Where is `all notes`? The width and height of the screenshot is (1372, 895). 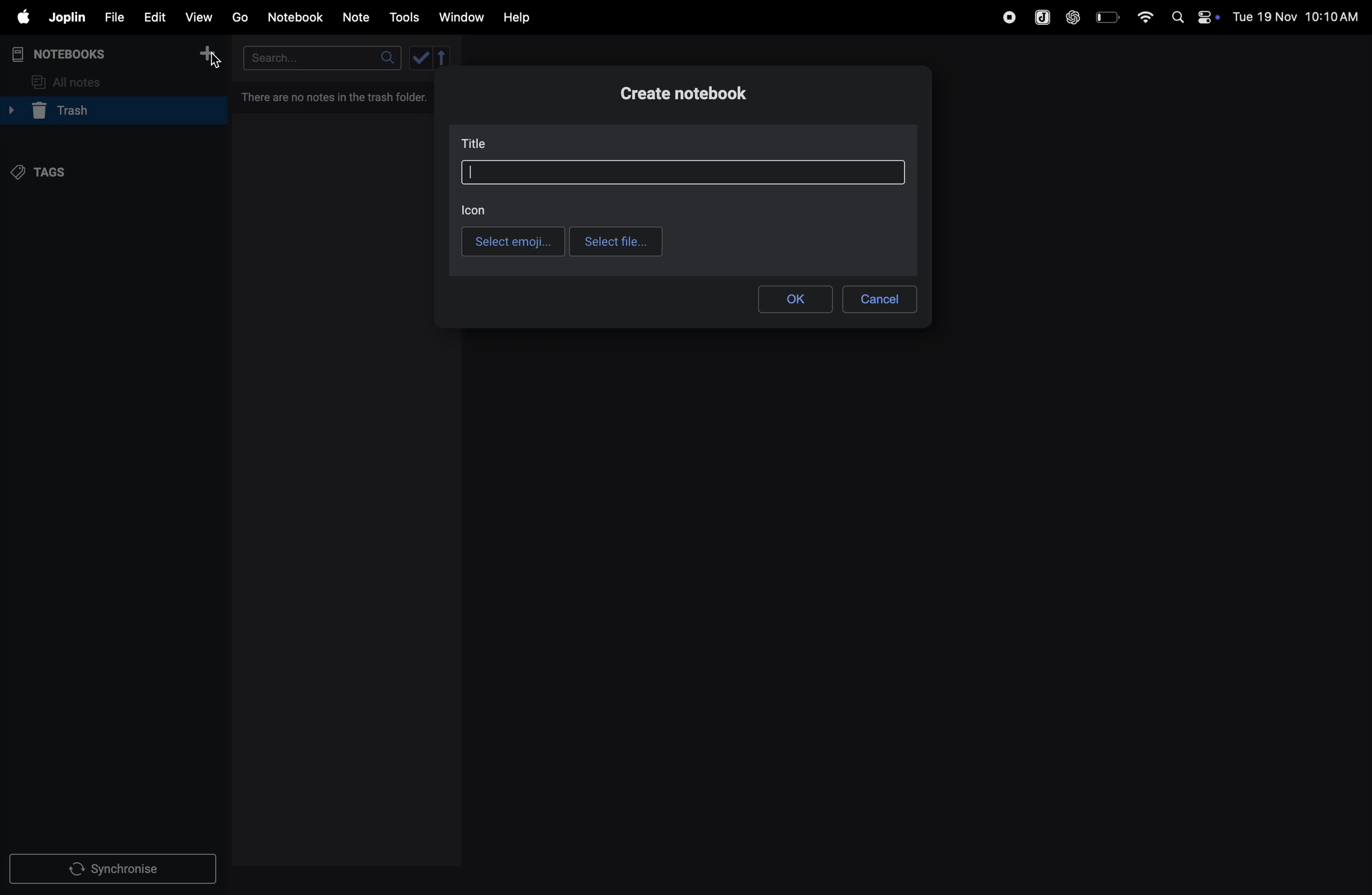
all notes is located at coordinates (76, 81).